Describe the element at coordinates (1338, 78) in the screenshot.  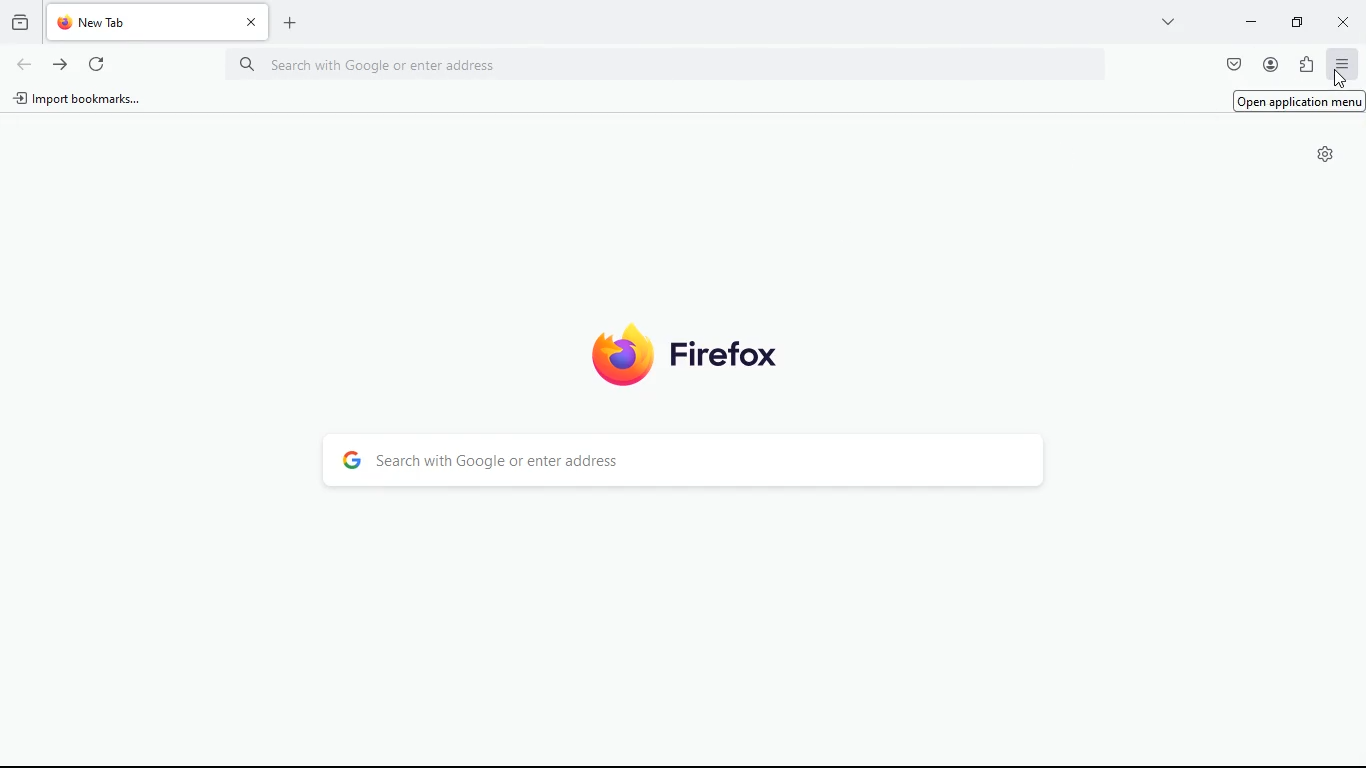
I see `cursor` at that location.